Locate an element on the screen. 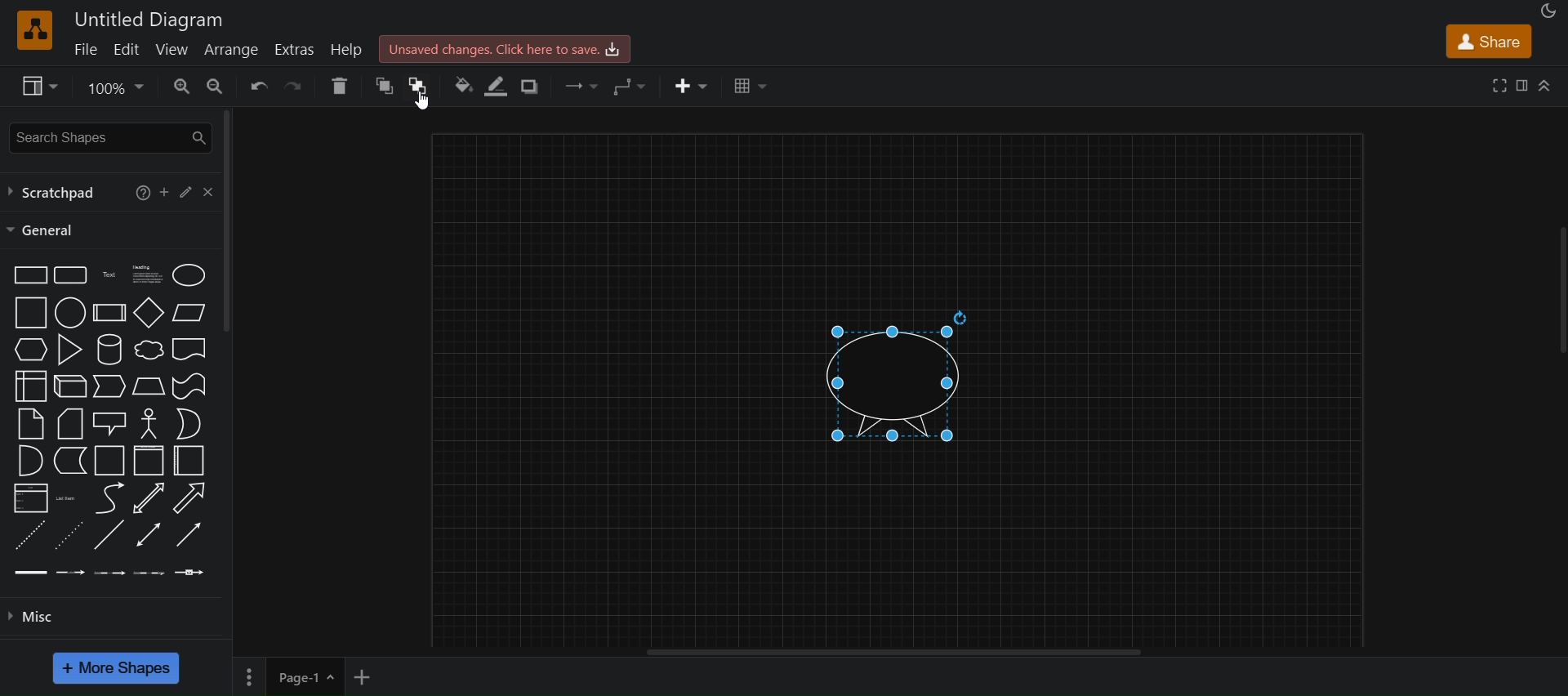  actor is located at coordinates (149, 423).